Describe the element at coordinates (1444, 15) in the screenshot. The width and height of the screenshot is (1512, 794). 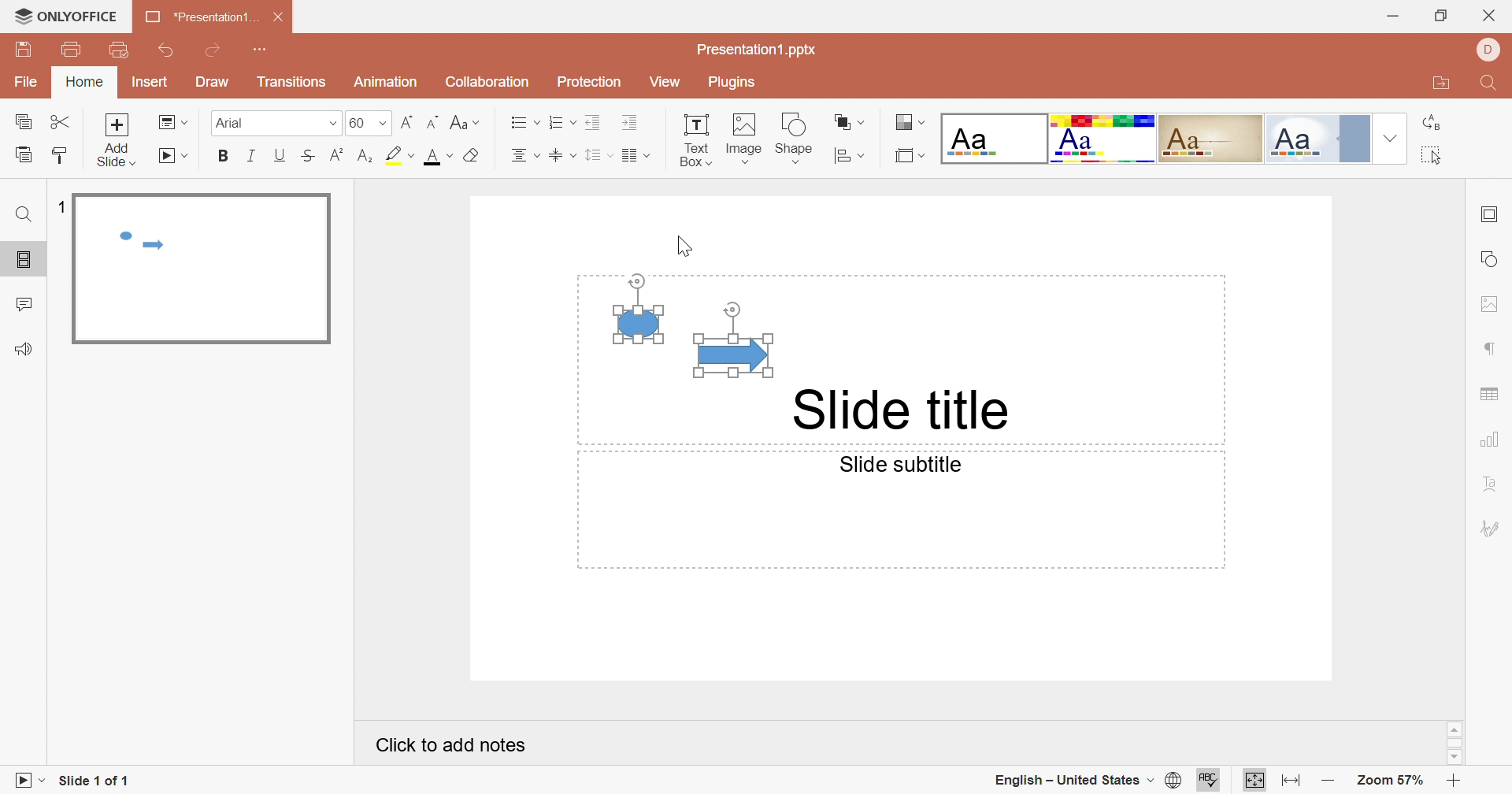
I see `Restore Down` at that location.